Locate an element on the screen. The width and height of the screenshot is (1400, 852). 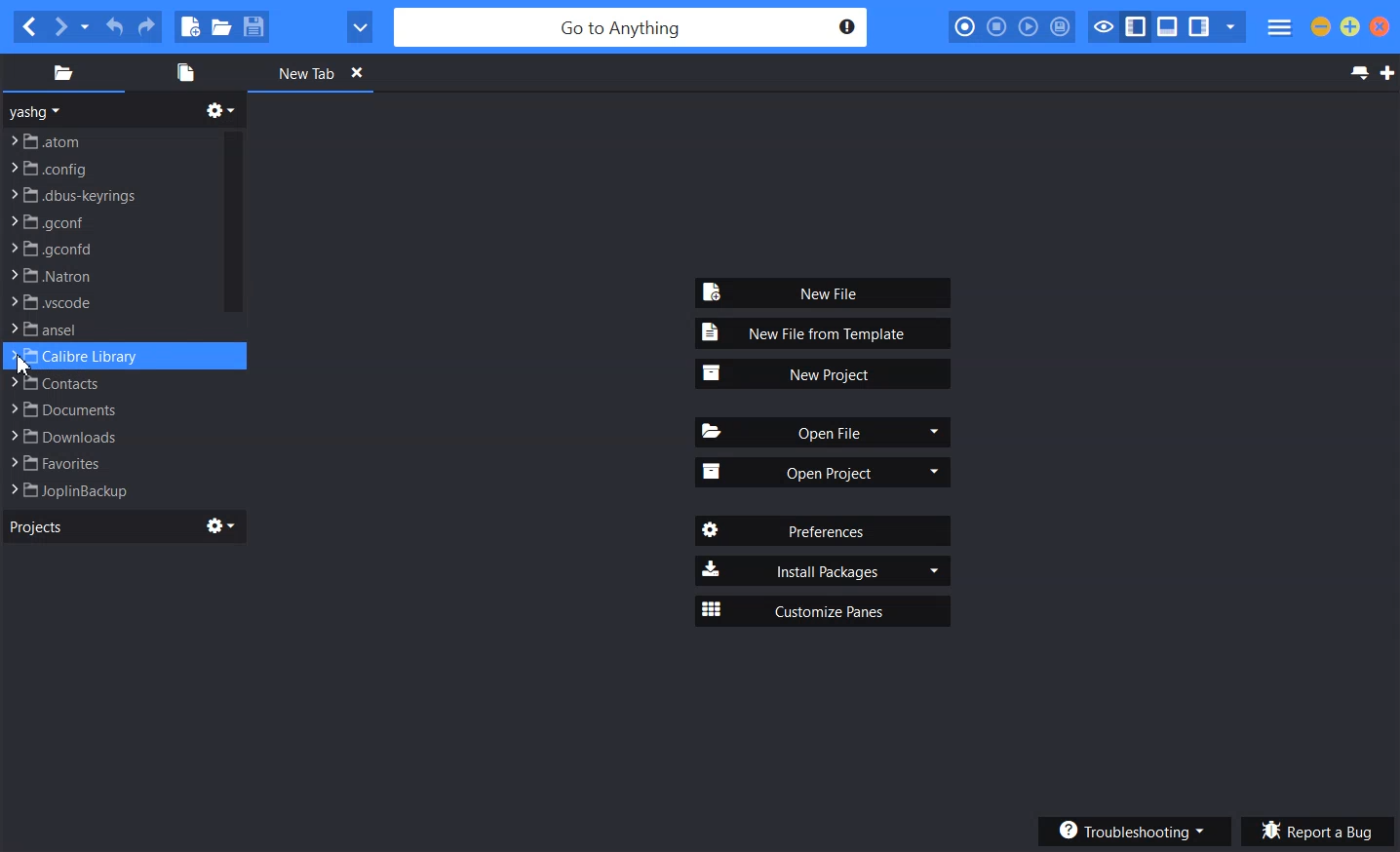
Go to Anytime is located at coordinates (633, 28).